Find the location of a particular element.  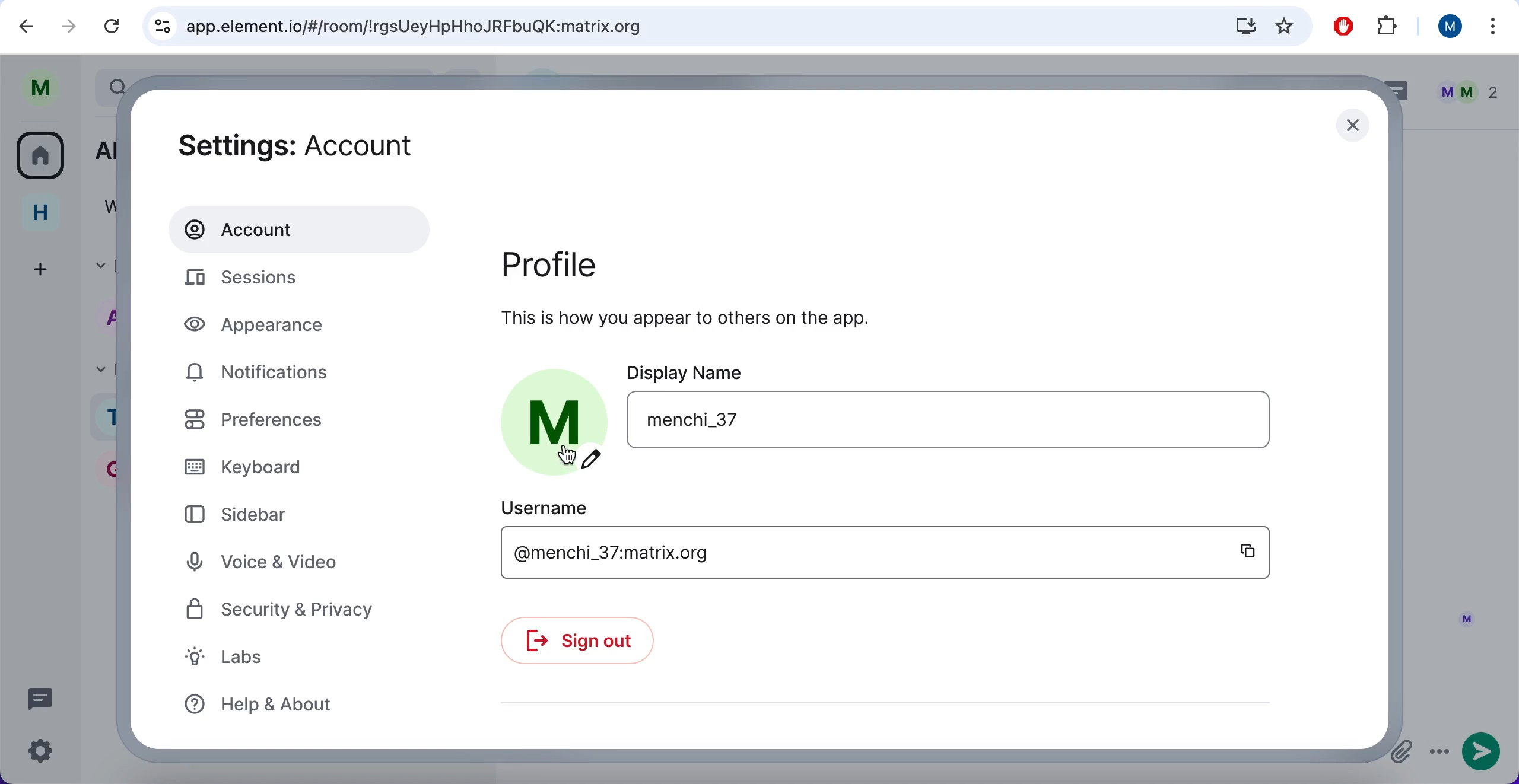

 is located at coordinates (1472, 93).